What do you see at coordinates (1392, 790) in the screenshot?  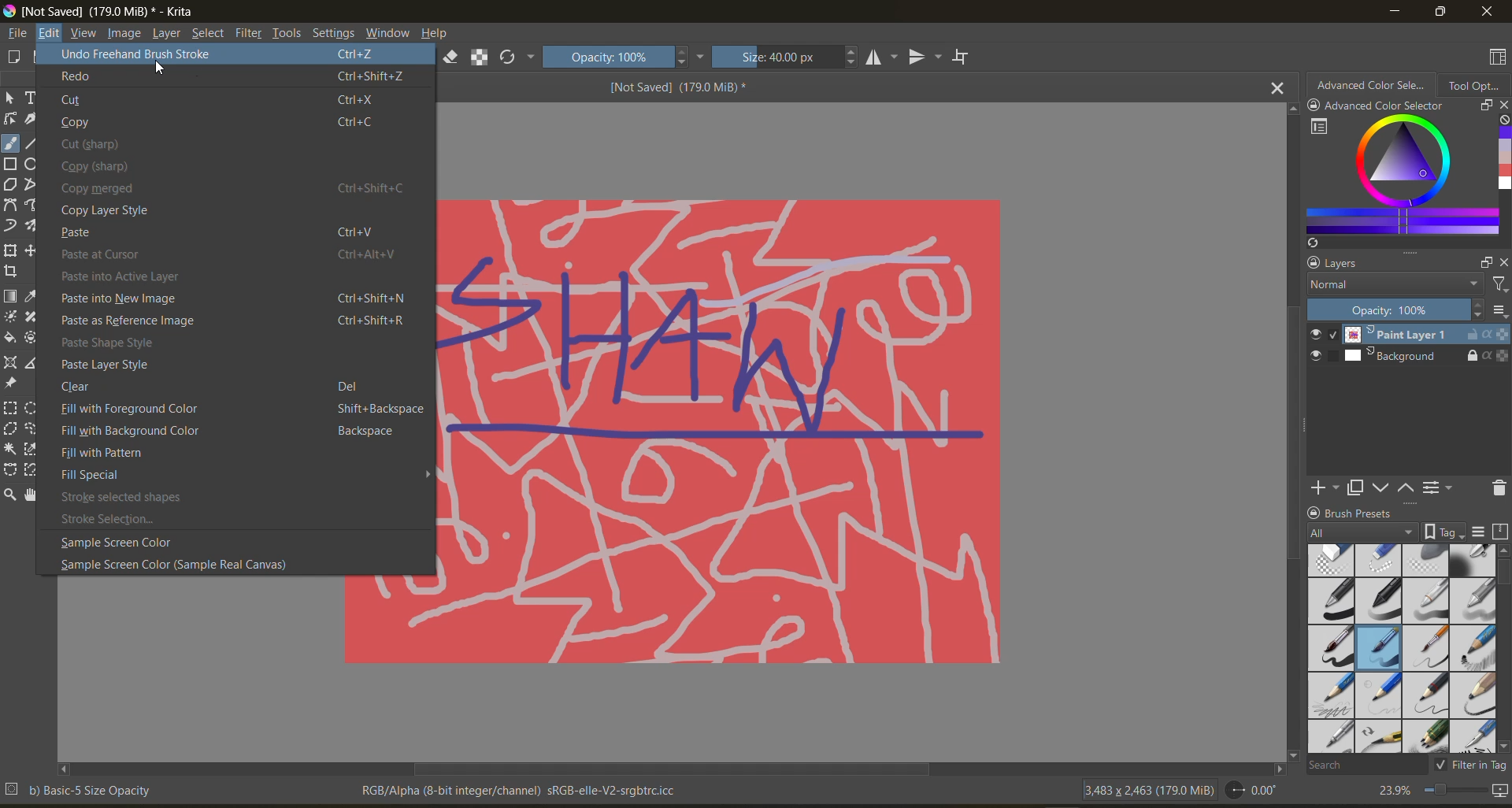 I see `23.9%` at bounding box center [1392, 790].